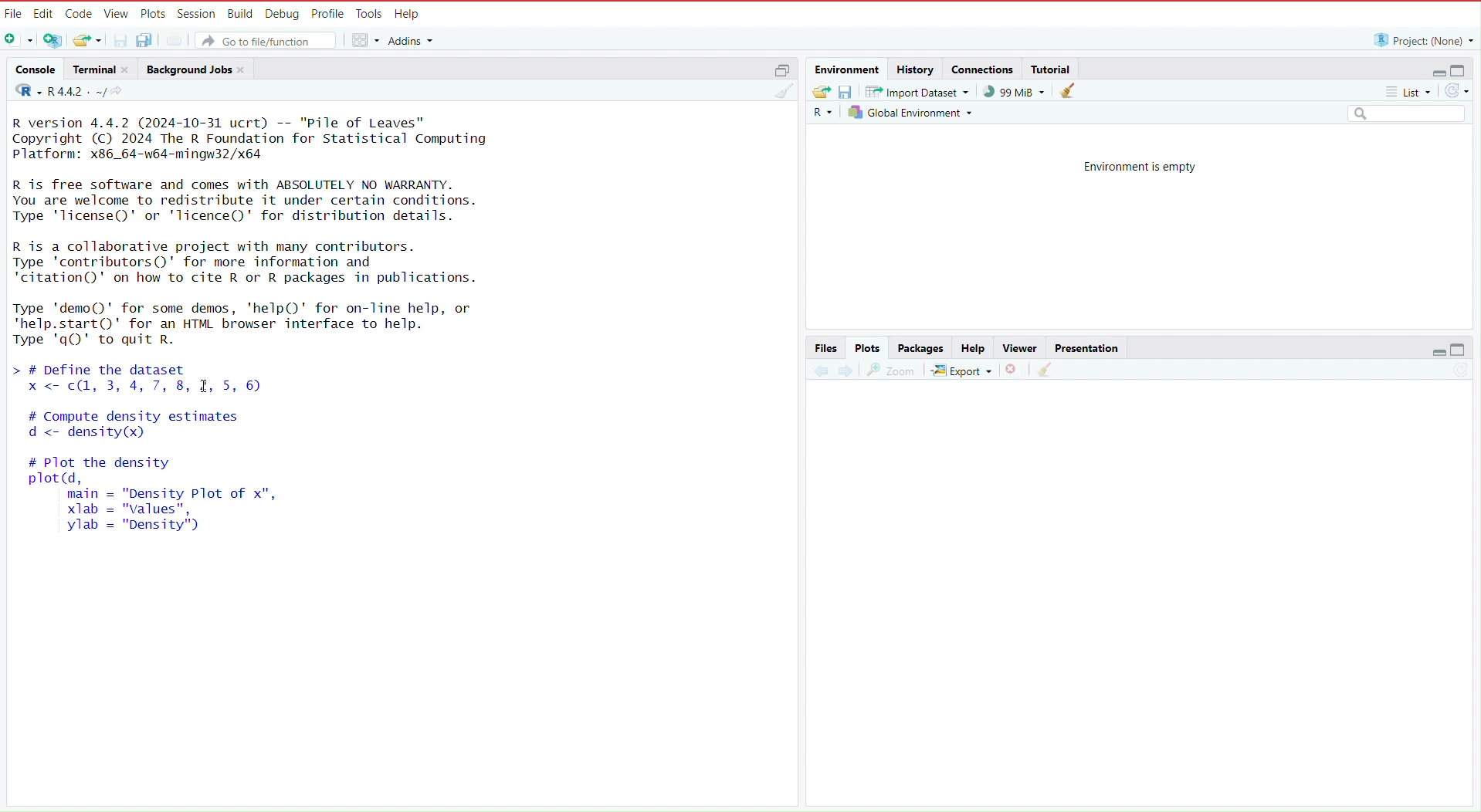 The width and height of the screenshot is (1481, 812). Describe the element at coordinates (154, 12) in the screenshot. I see `plots` at that location.